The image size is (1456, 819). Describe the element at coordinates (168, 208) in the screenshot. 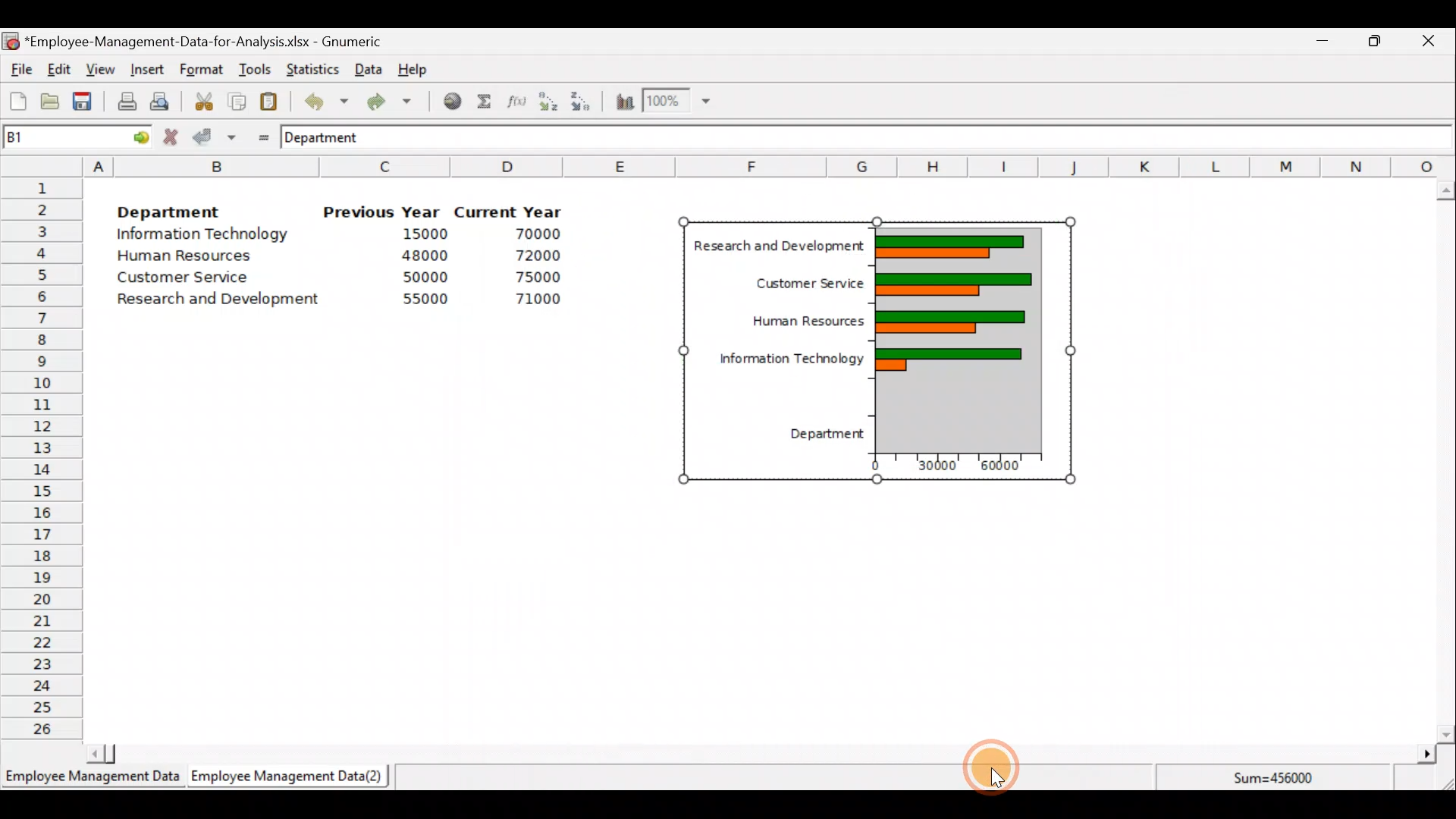

I see `Department` at that location.